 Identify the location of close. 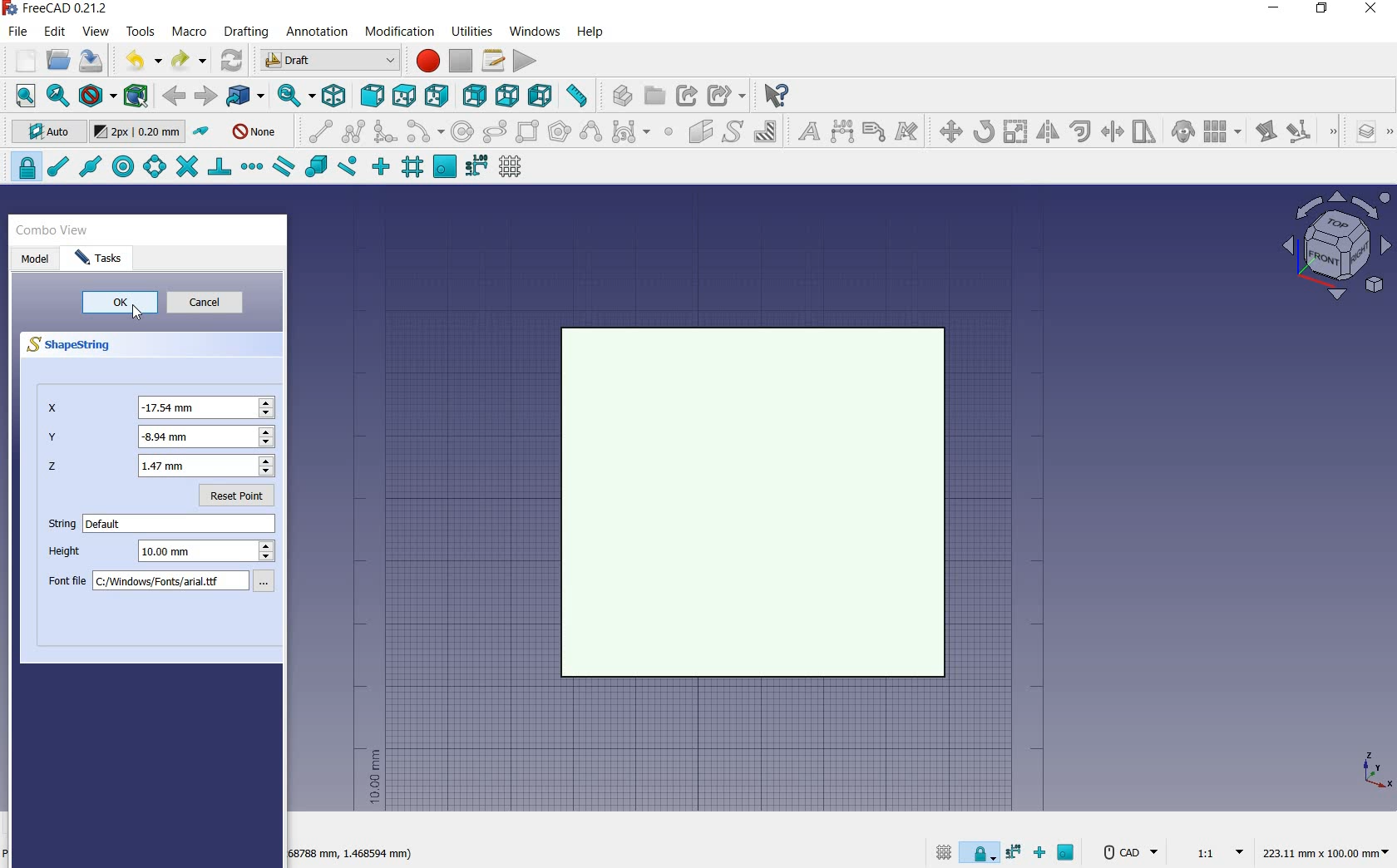
(275, 233).